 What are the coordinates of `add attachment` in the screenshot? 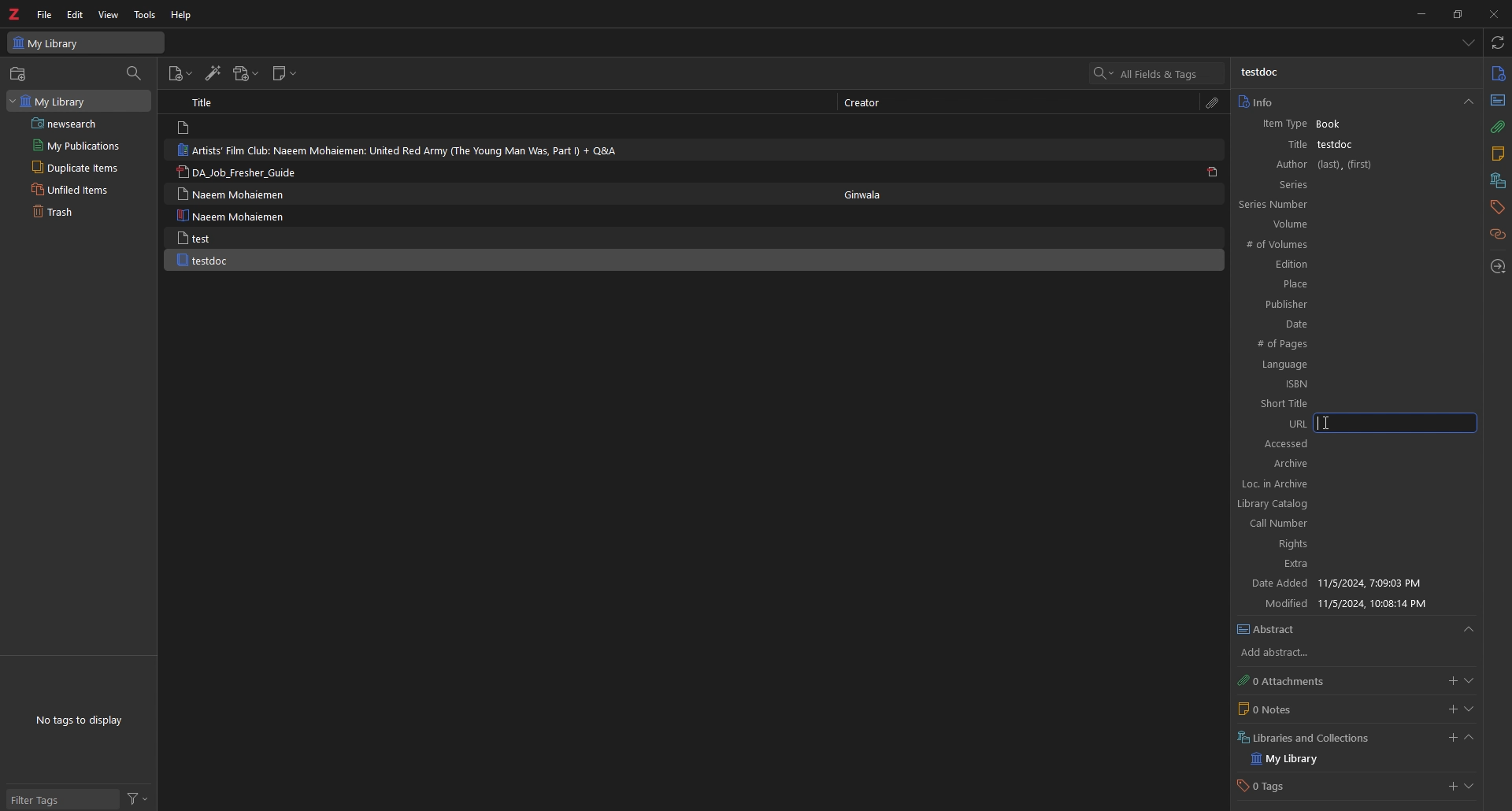 It's located at (246, 73).